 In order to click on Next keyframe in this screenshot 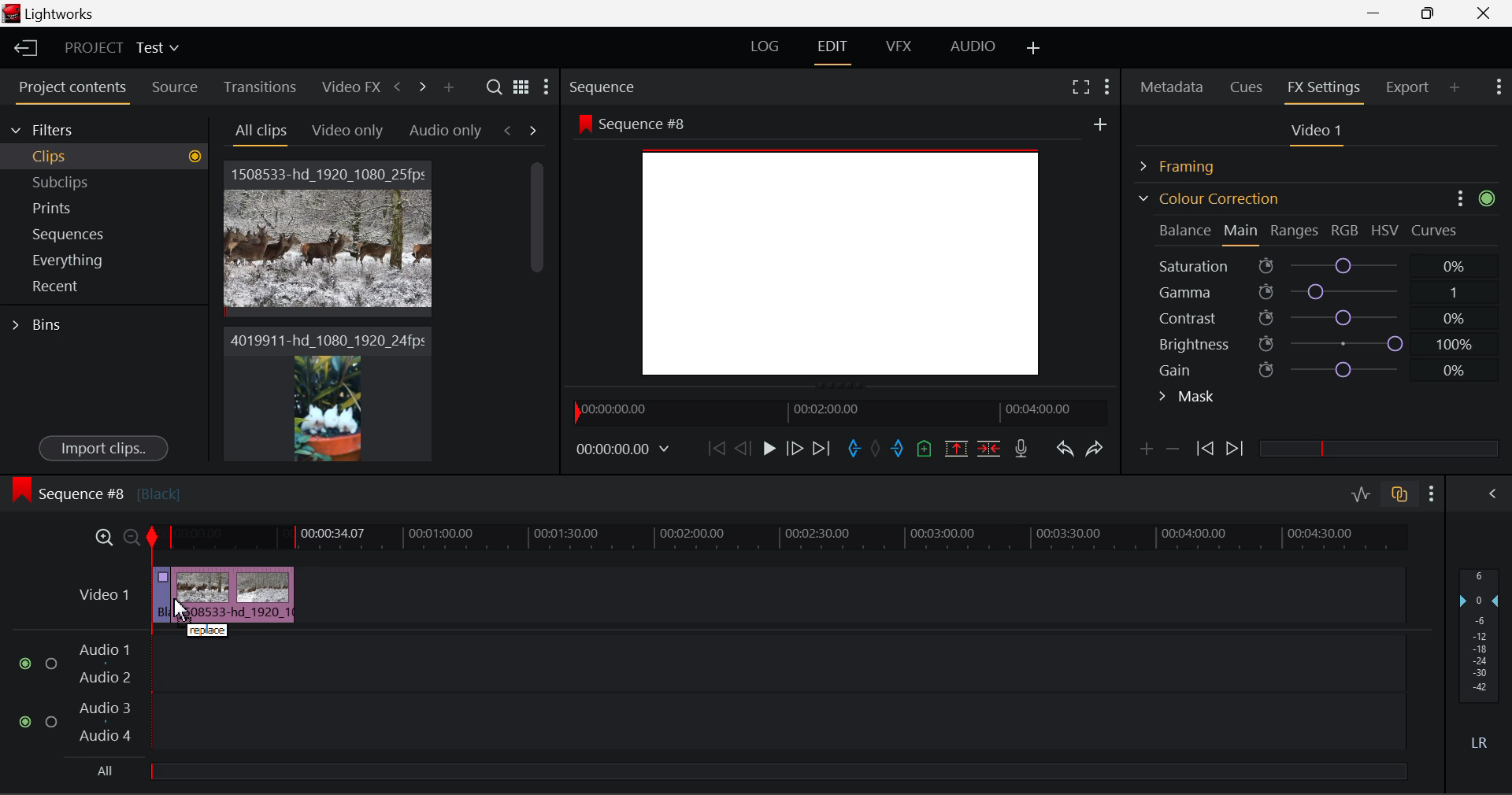, I will do `click(1236, 449)`.